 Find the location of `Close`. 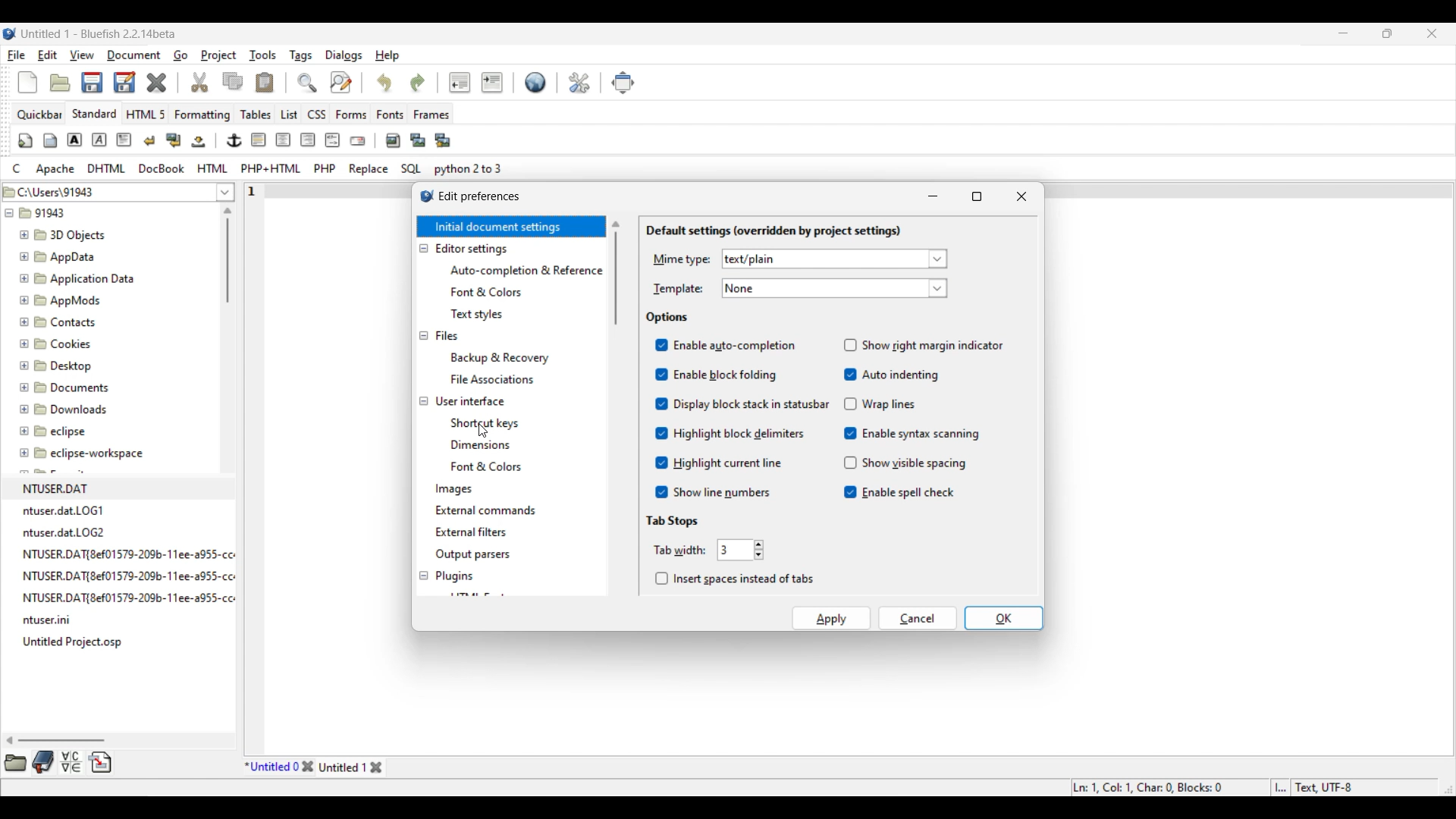

Close is located at coordinates (1021, 196).